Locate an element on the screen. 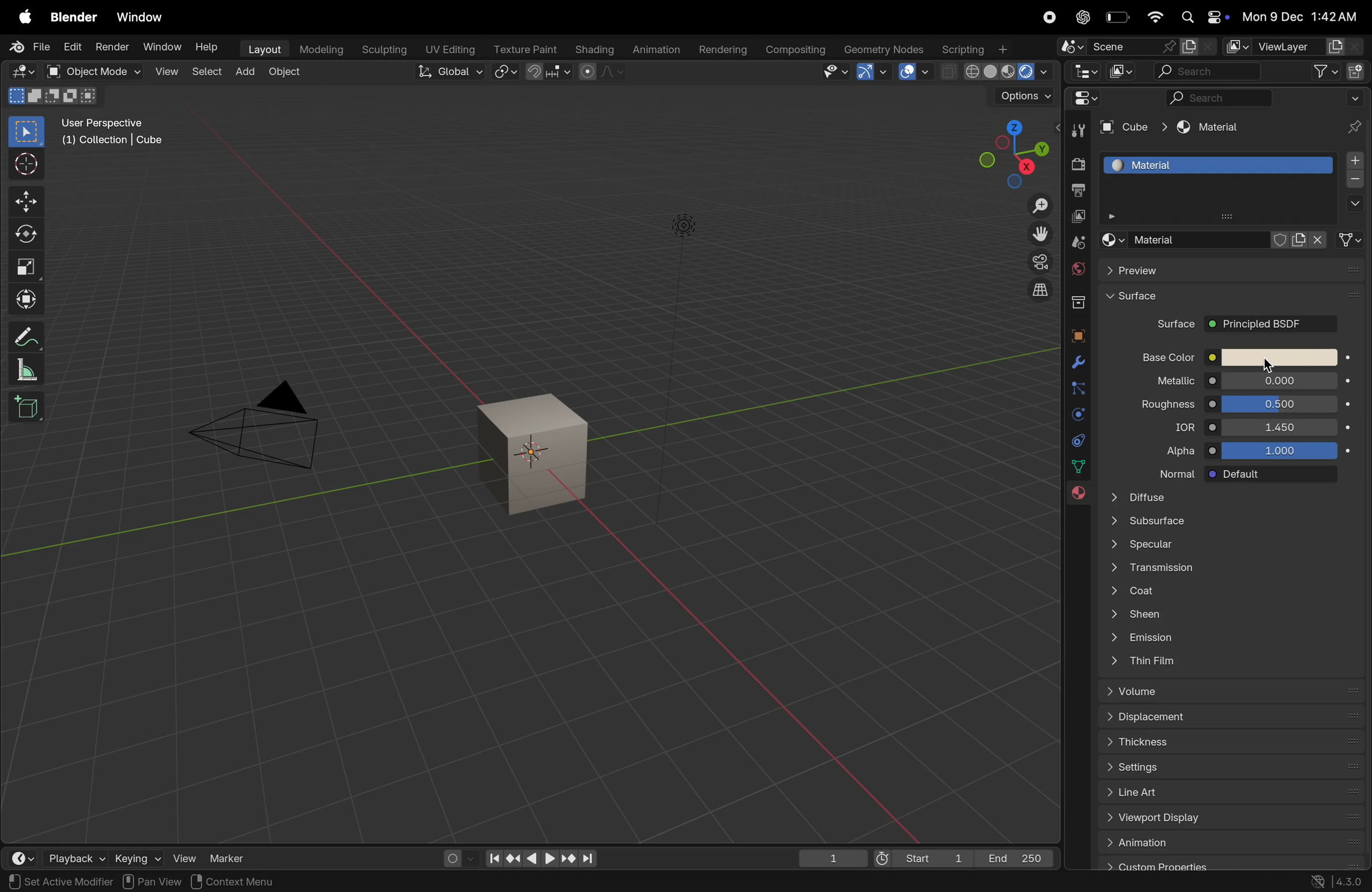  view is located at coordinates (178, 857).